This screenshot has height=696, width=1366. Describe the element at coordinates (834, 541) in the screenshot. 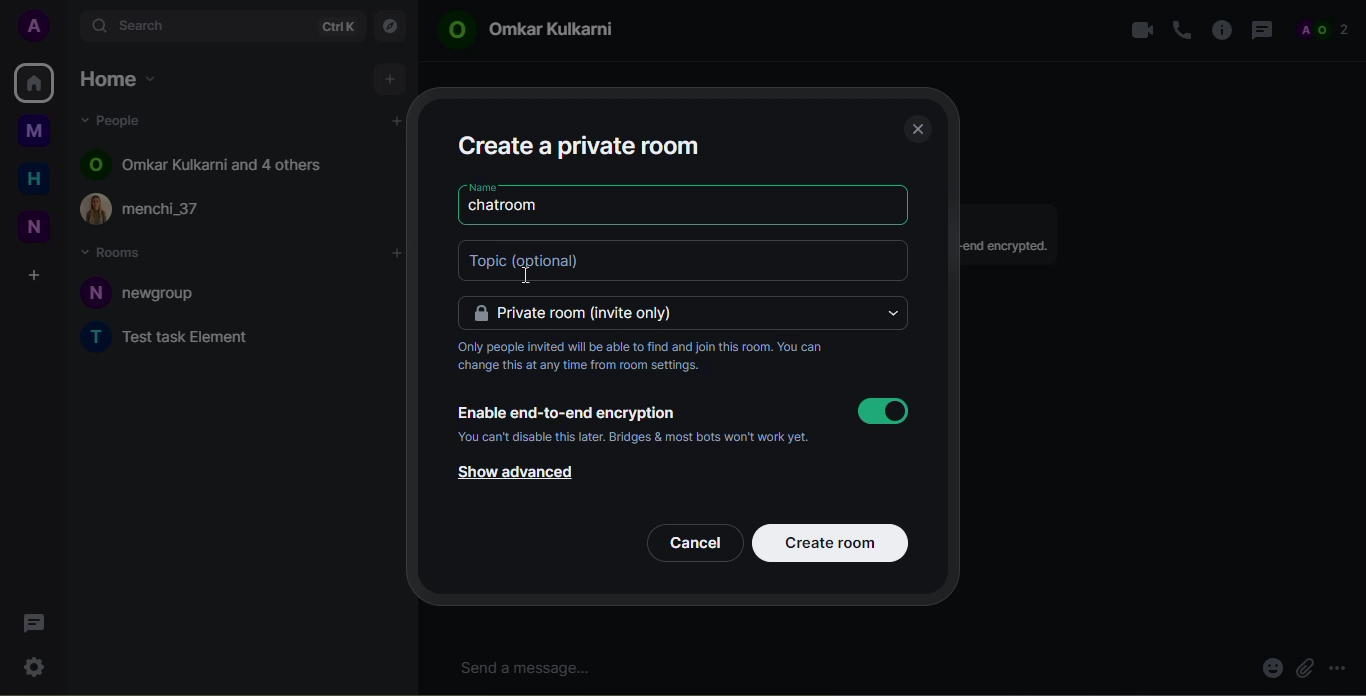

I see `create room` at that location.